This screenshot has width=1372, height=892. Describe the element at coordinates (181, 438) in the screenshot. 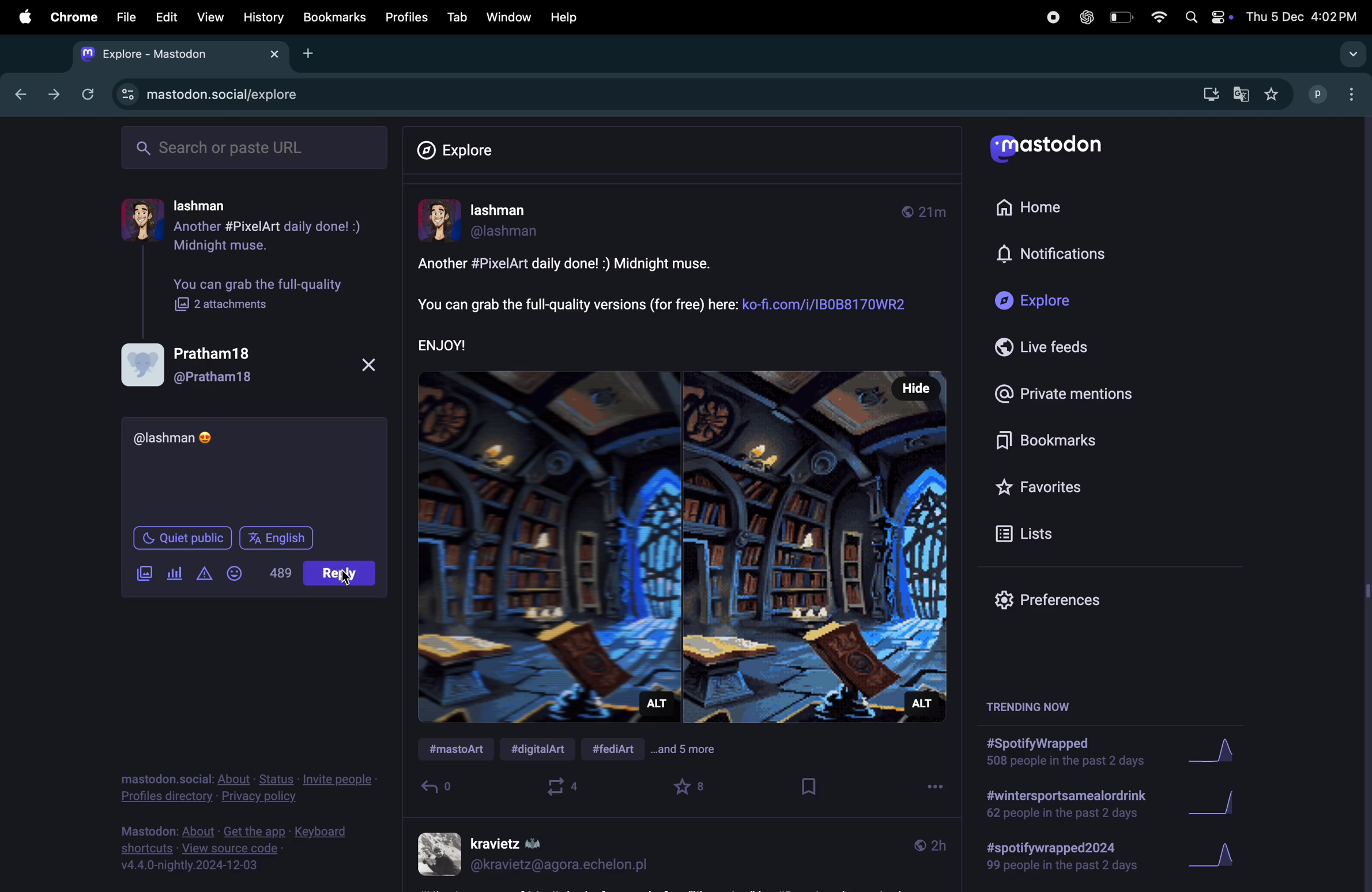

I see `username` at that location.